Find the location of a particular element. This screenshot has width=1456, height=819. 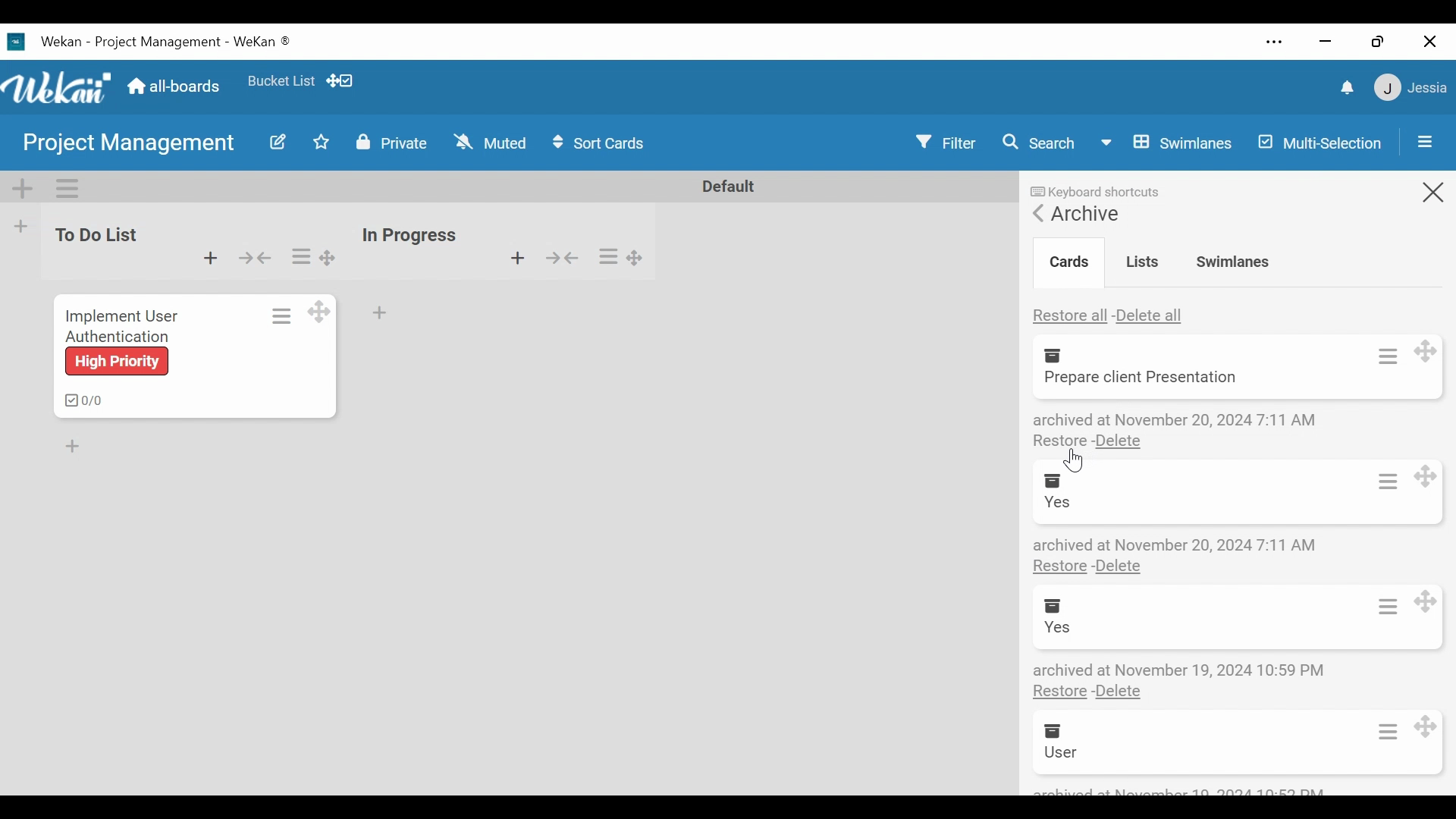

restore is located at coordinates (1377, 41).